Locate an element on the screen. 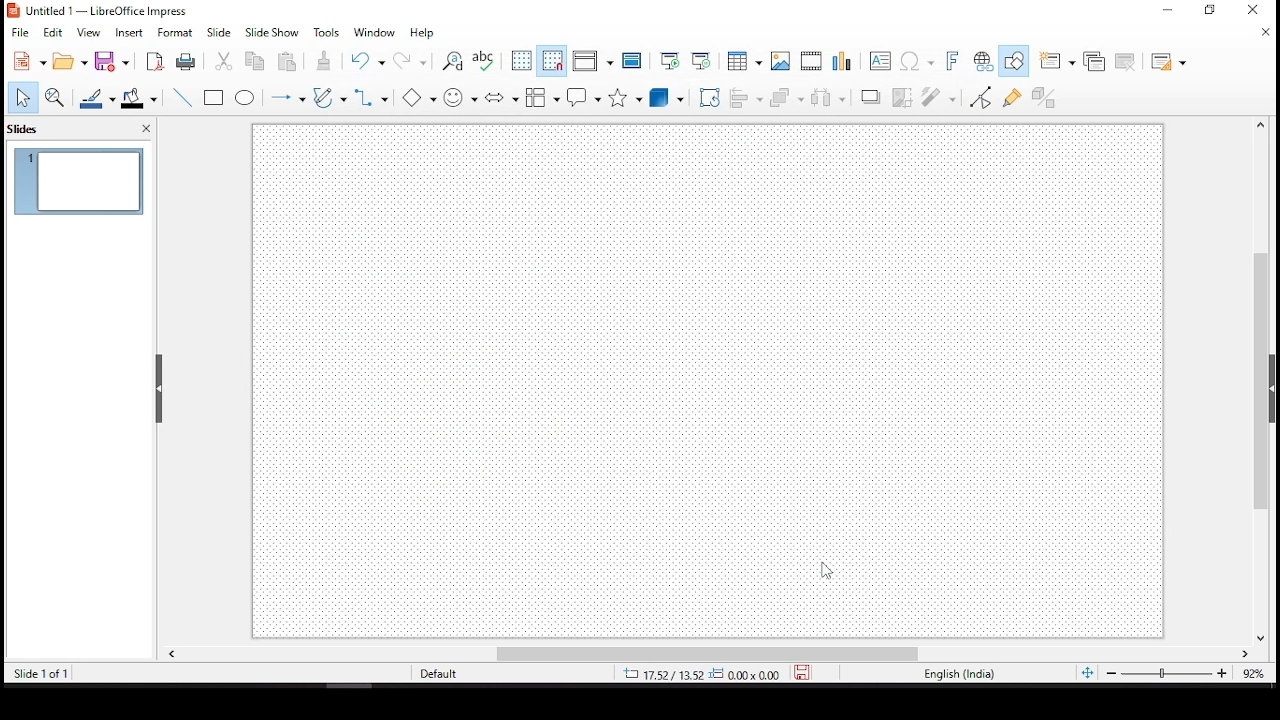 This screenshot has height=720, width=1280. ellipse is located at coordinates (247, 98).